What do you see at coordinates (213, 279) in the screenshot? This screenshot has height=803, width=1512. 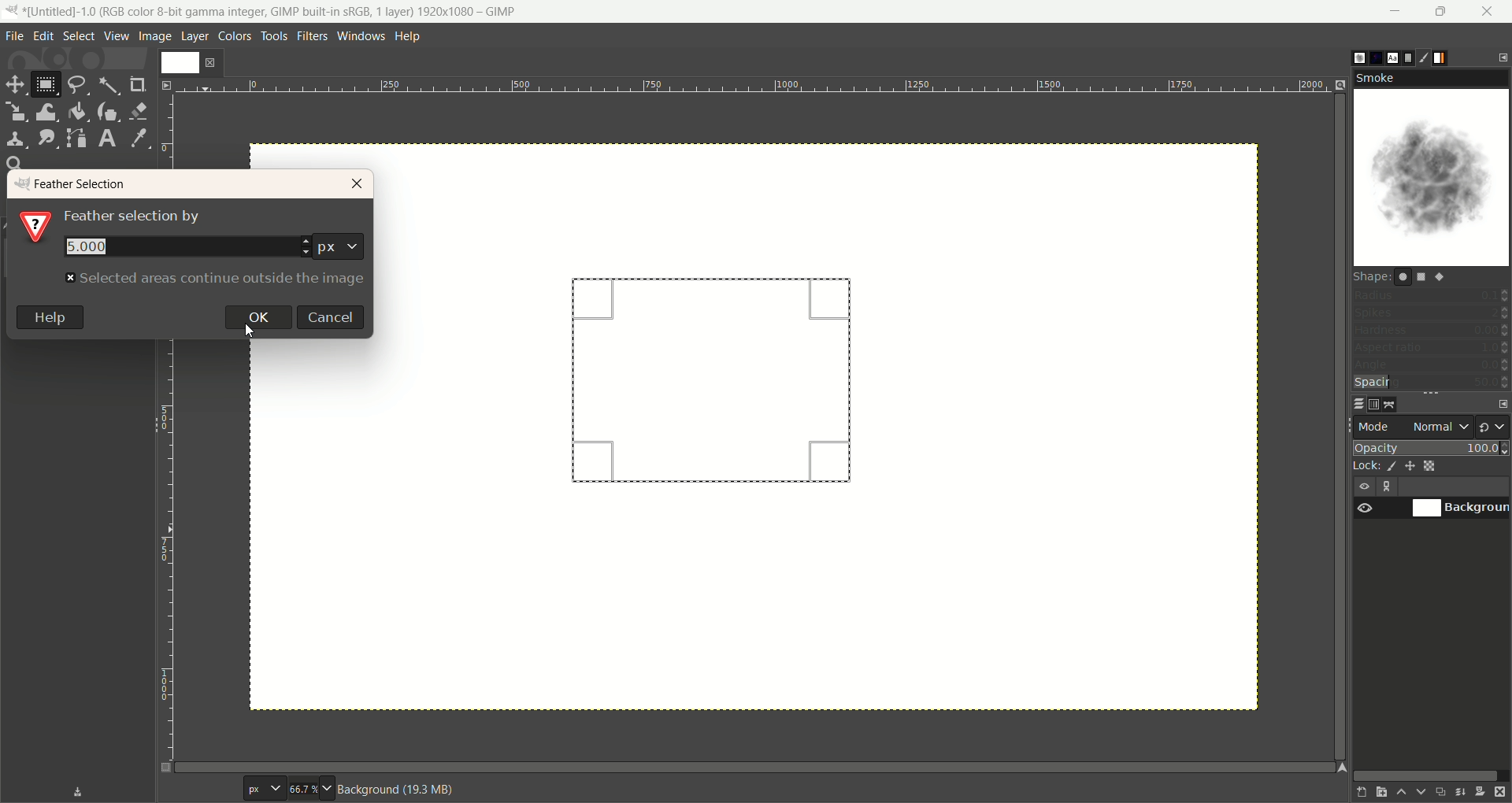 I see `text` at bounding box center [213, 279].